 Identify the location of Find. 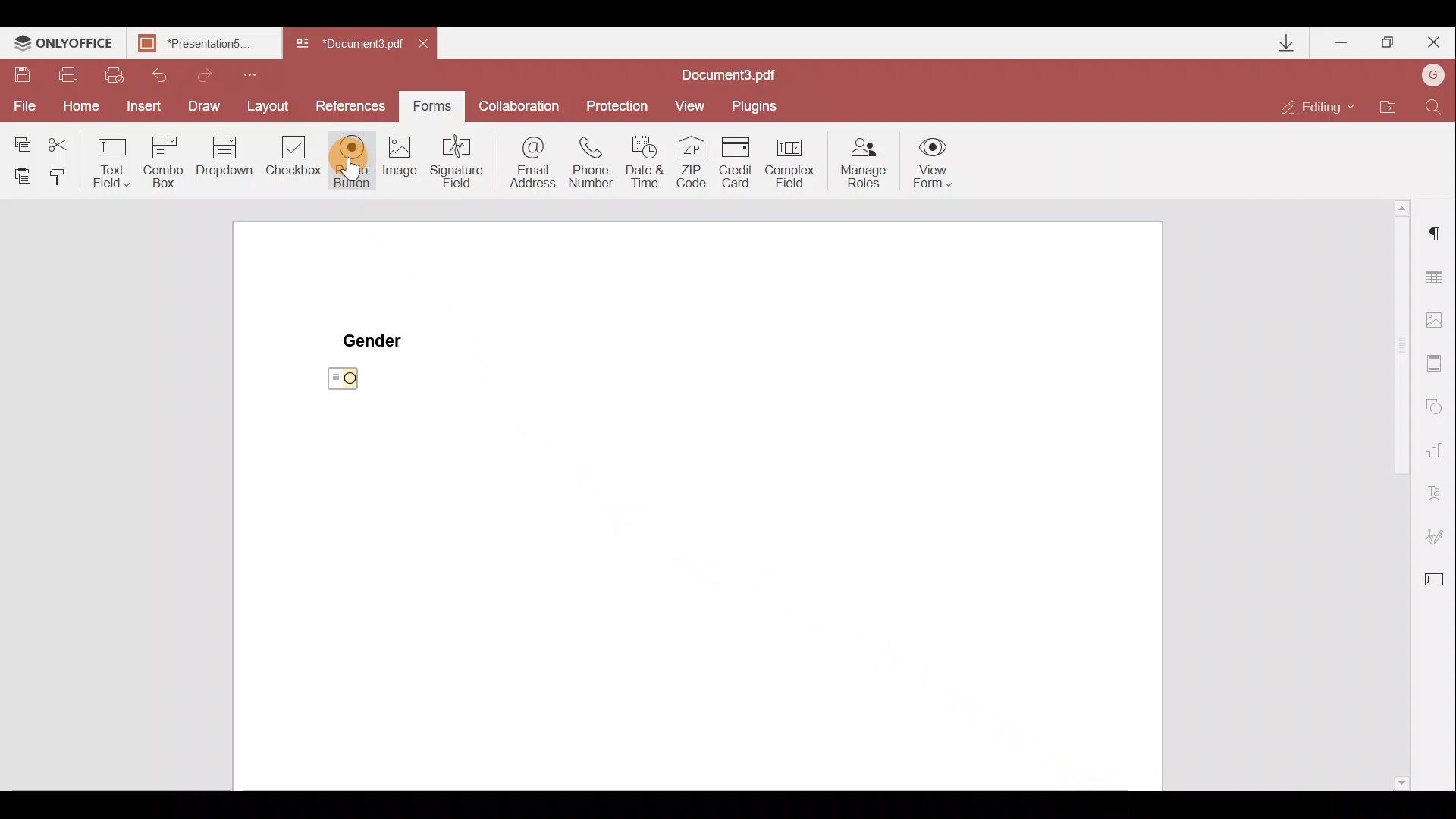
(1434, 104).